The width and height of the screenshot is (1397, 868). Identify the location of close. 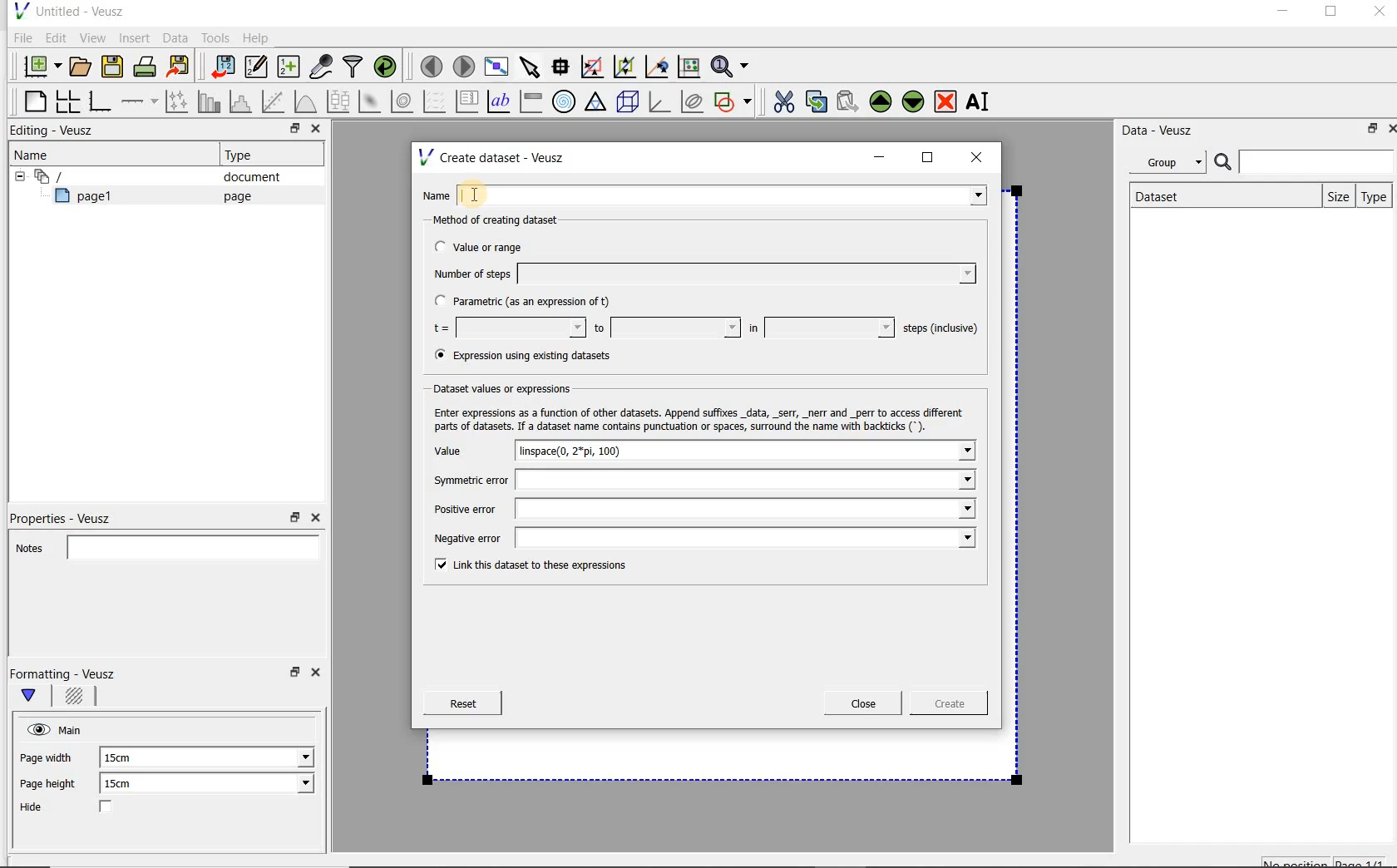
(982, 156).